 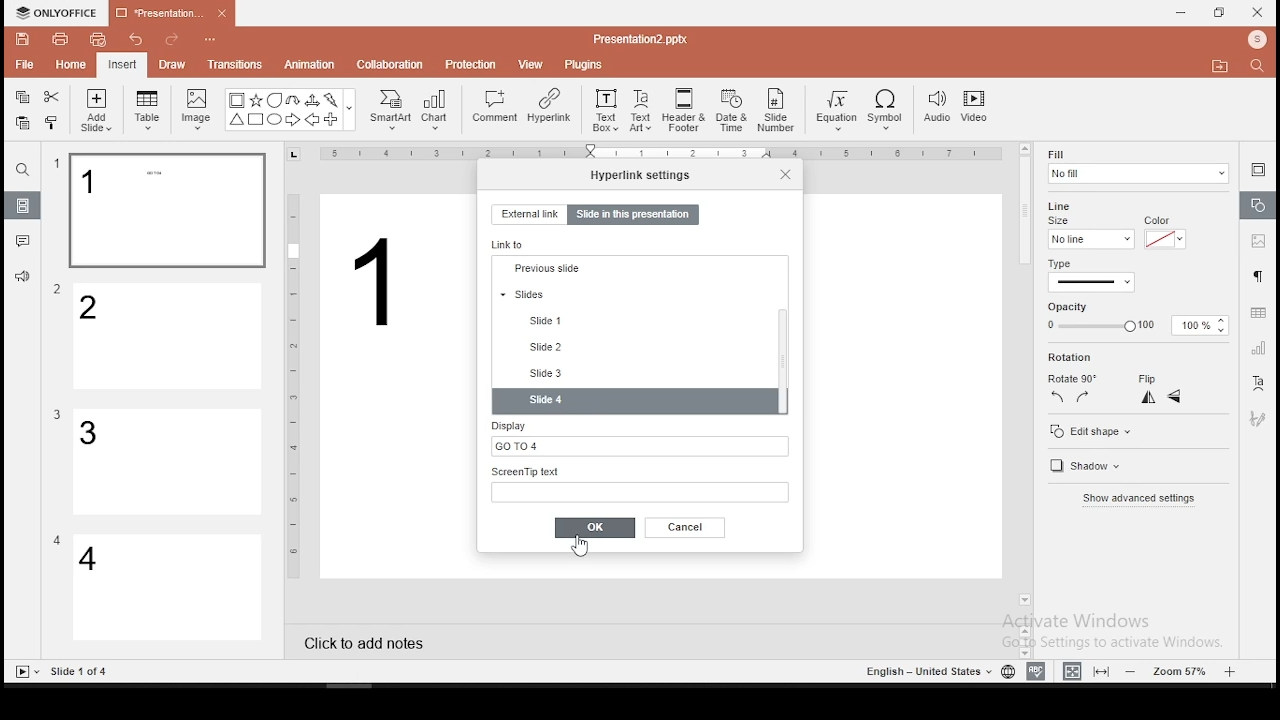 I want to click on clone formatting, so click(x=52, y=122).